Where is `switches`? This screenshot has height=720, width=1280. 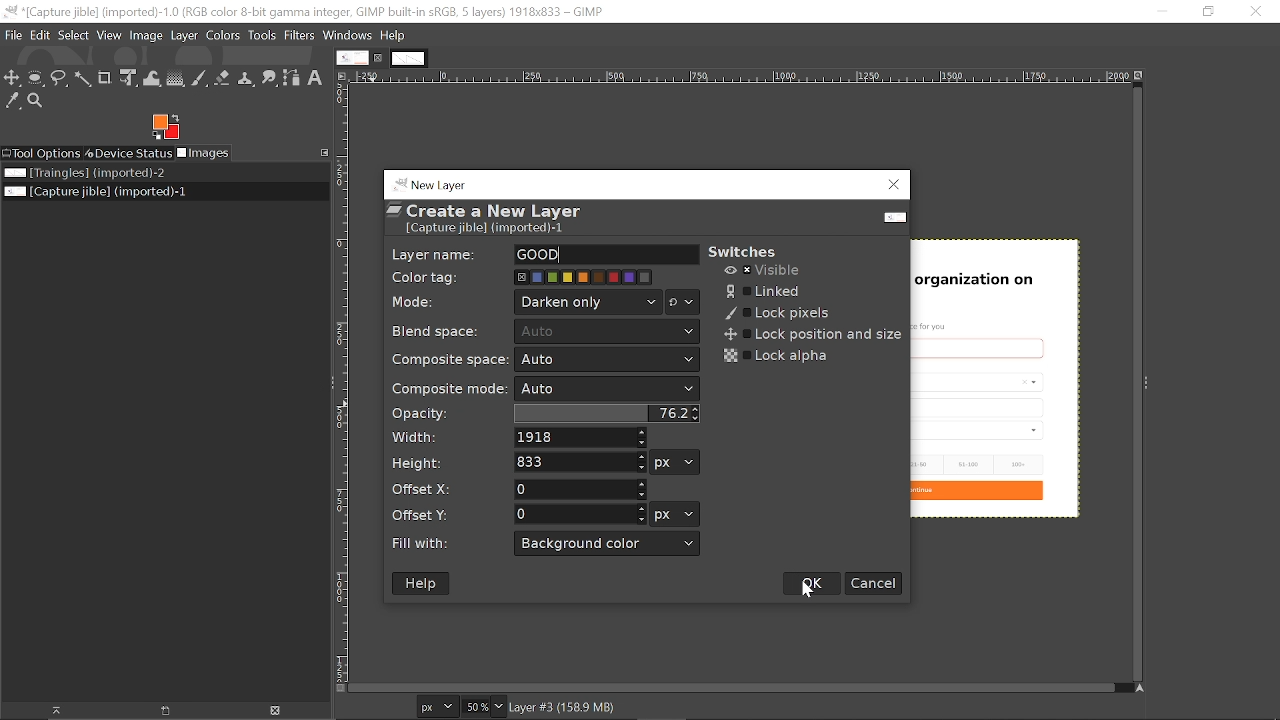
switches is located at coordinates (762, 245).